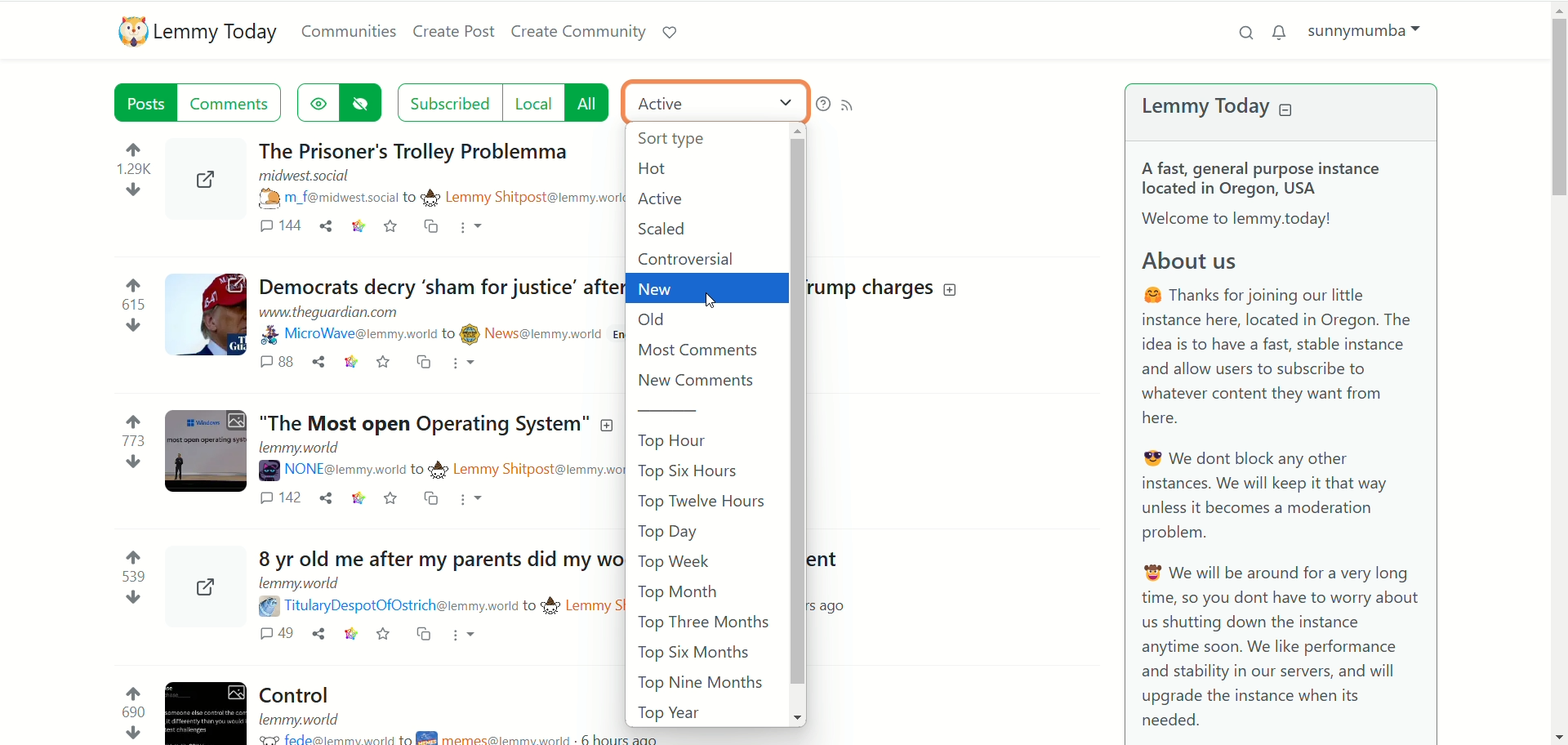 Image resolution: width=1568 pixels, height=745 pixels. I want to click on RSS, so click(851, 105).